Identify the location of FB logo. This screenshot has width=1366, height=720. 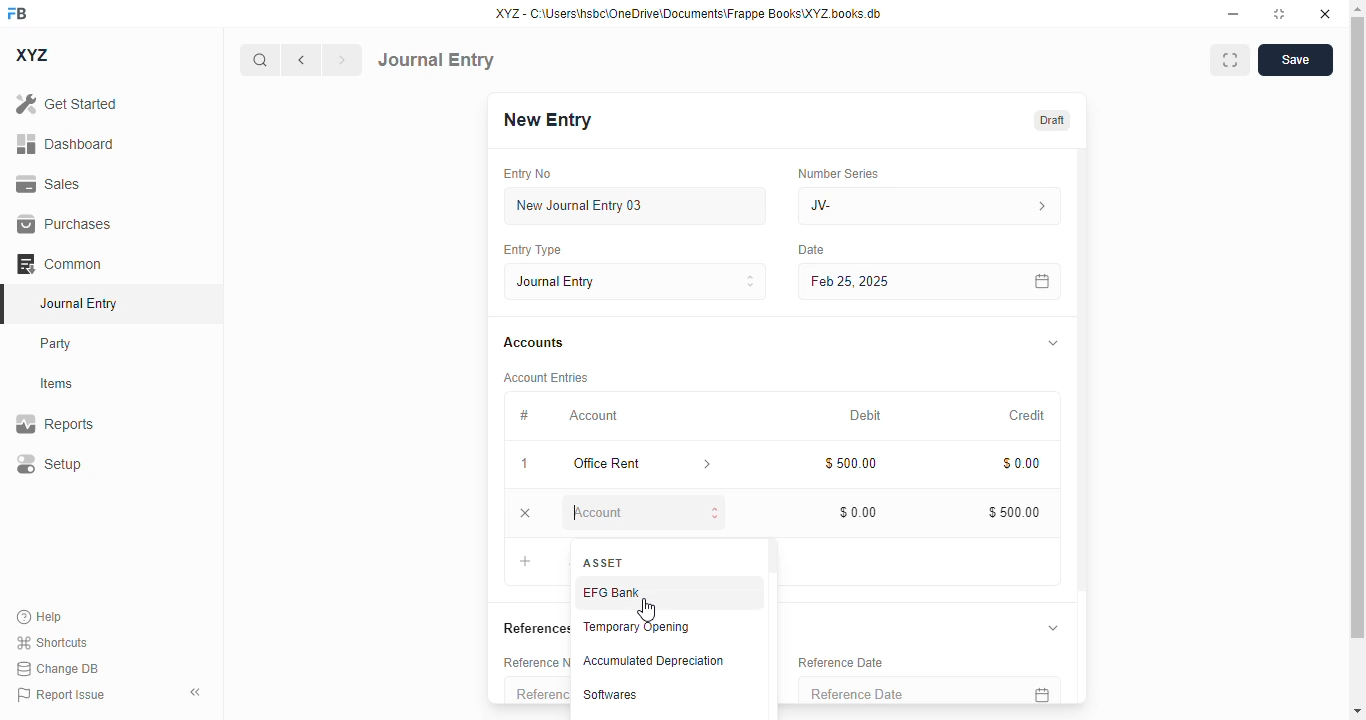
(17, 12).